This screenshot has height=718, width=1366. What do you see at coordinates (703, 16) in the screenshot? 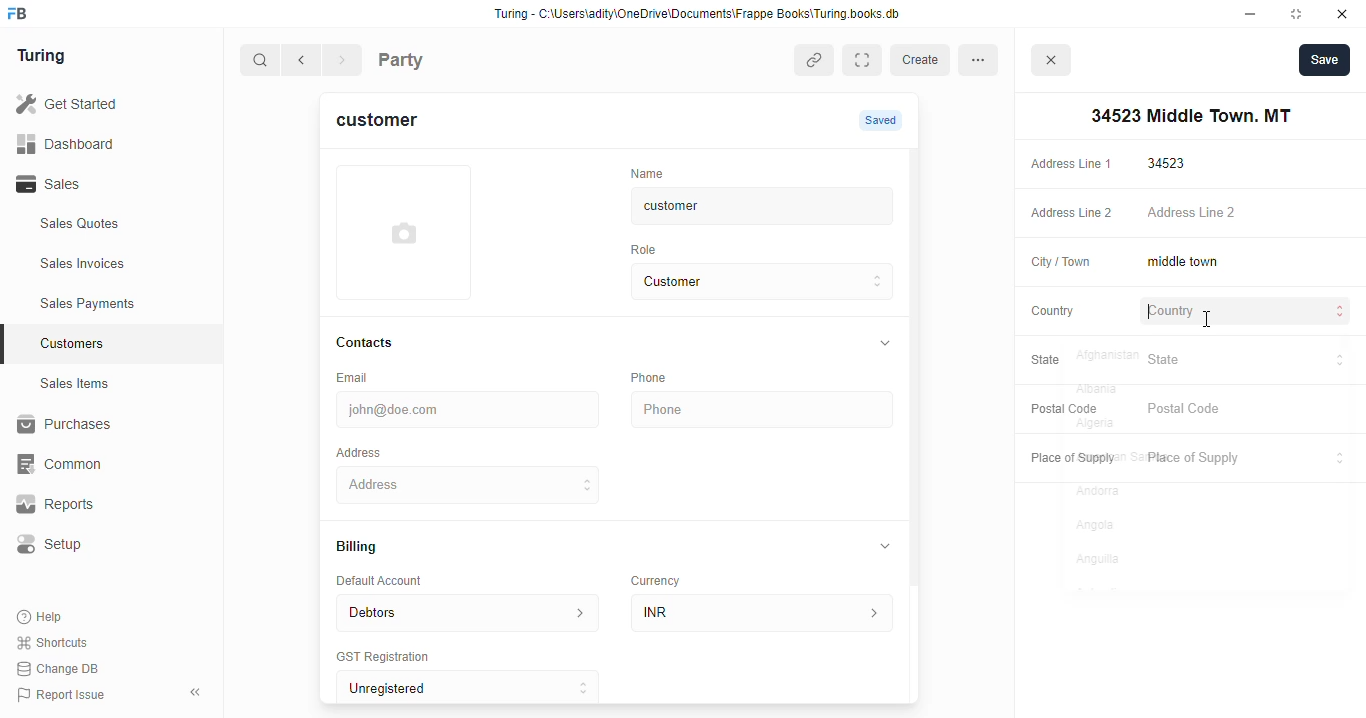
I see `Turing - C:\Users\adity\OneDrive\Documents\Frappe Books\Turing books. db` at bounding box center [703, 16].